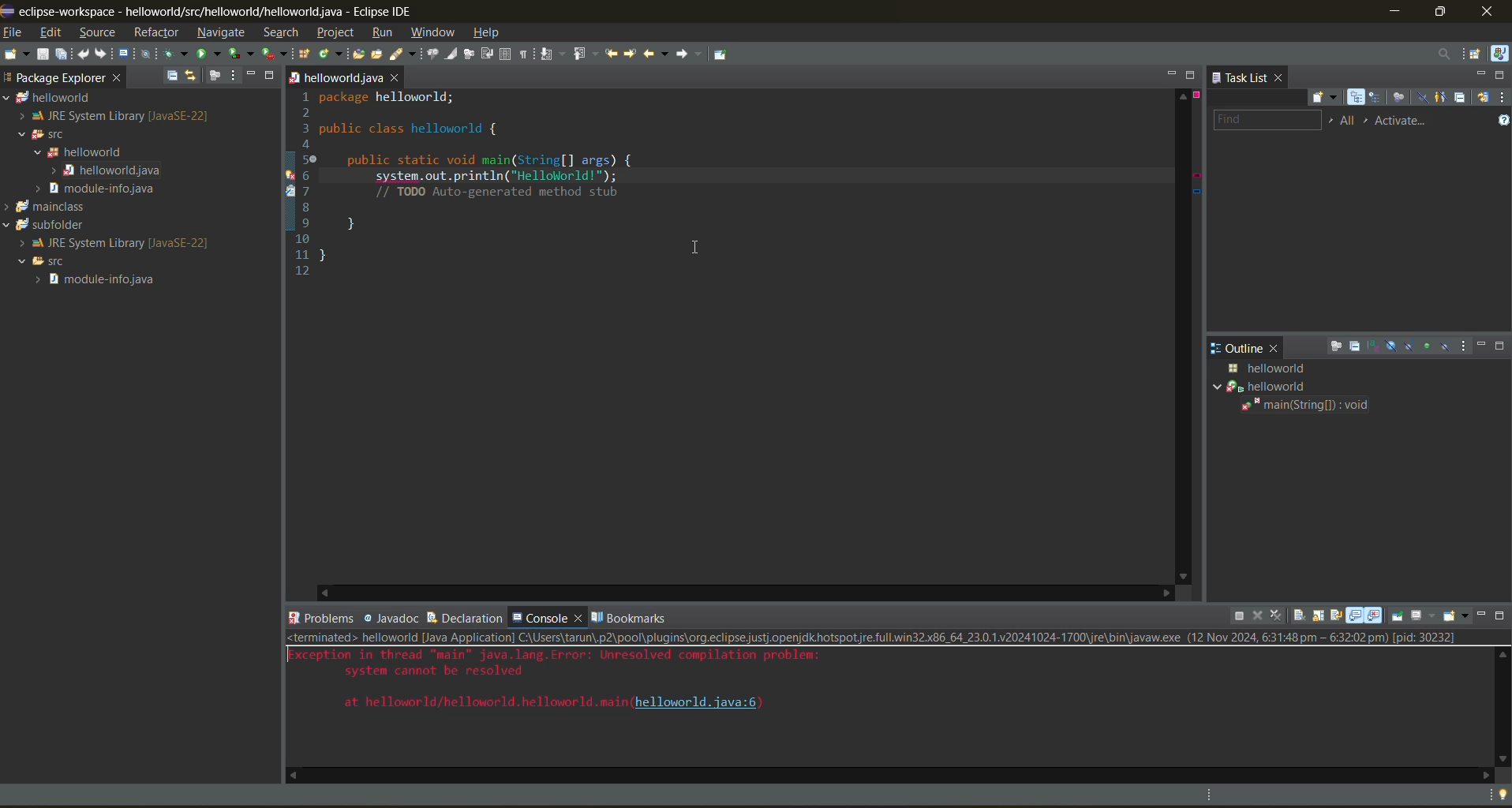 This screenshot has height=808, width=1512. Describe the element at coordinates (128, 56) in the screenshot. I see `open a terminal` at that location.